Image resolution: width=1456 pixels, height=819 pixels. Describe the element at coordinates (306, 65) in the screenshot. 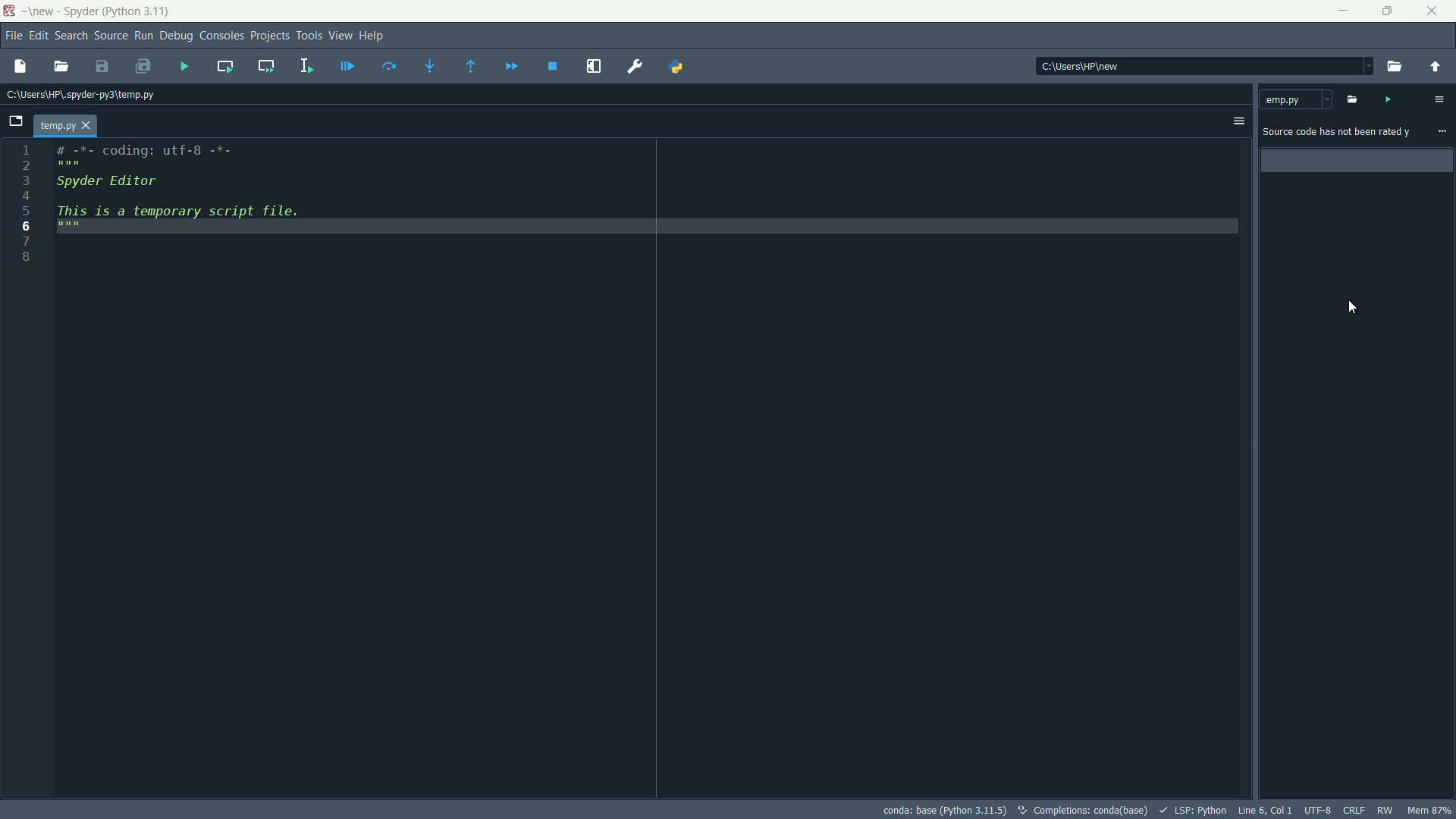

I see `run selection` at that location.